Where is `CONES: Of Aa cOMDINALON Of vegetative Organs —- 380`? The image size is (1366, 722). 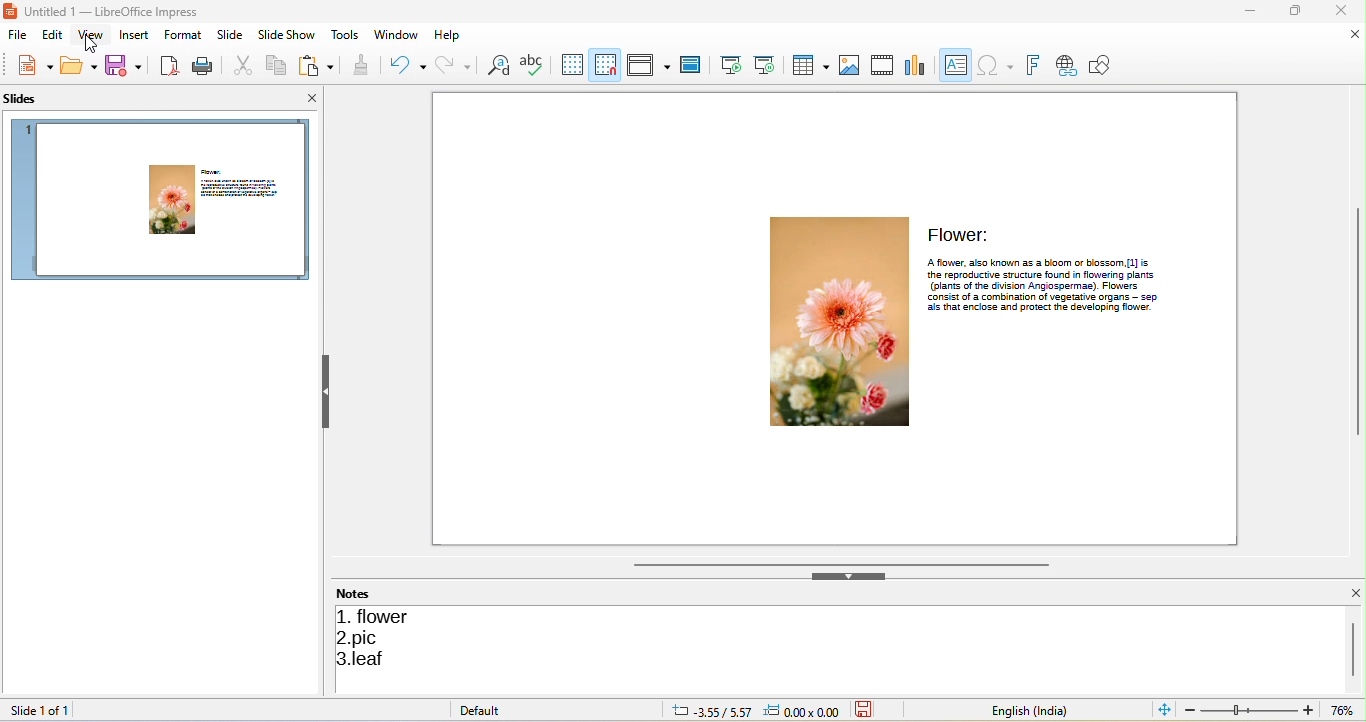 CONES: Of Aa cOMDINALON Of vegetative Organs —- 380 is located at coordinates (1041, 297).